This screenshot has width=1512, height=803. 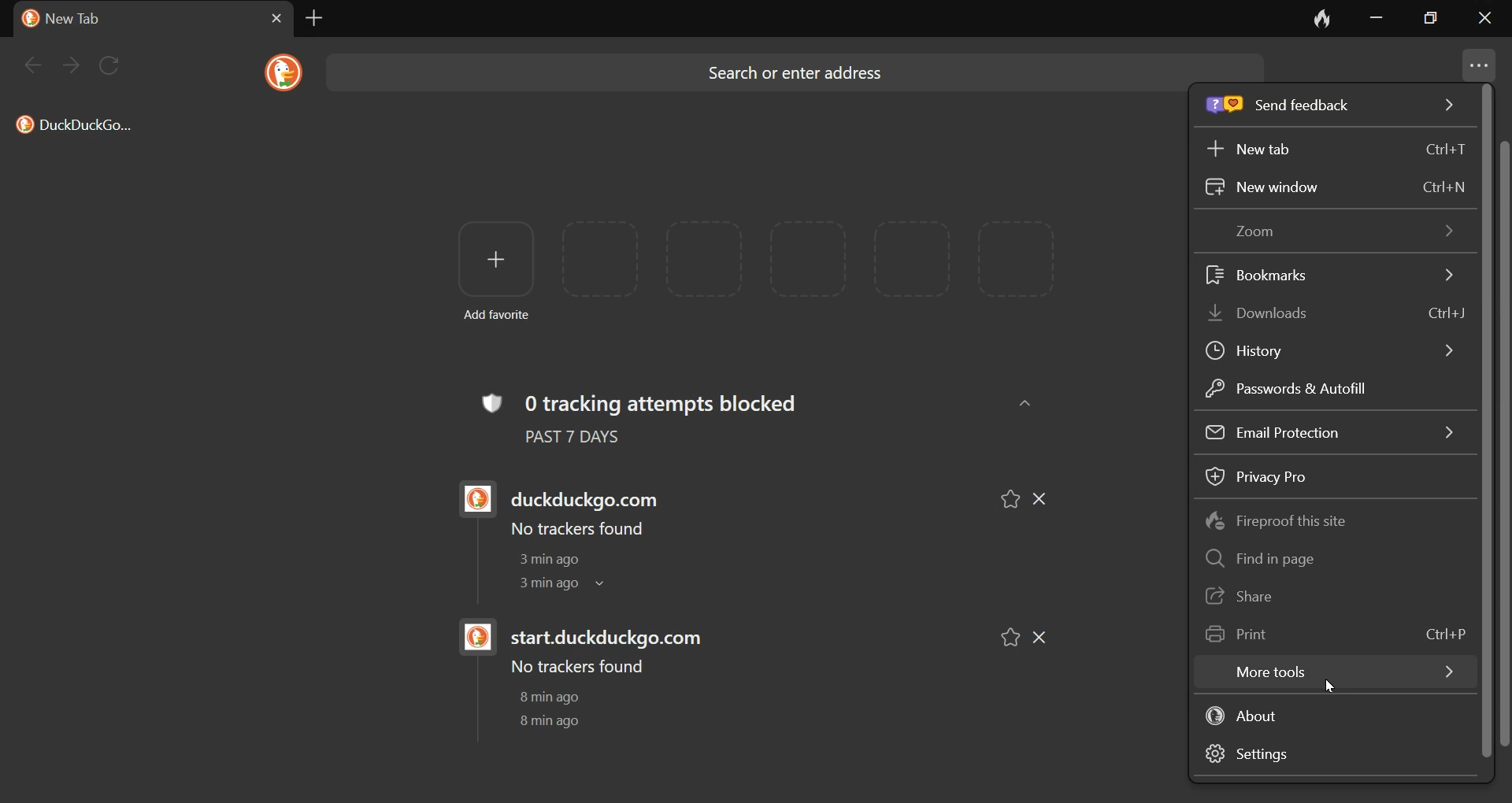 What do you see at coordinates (489, 259) in the screenshot?
I see `add` at bounding box center [489, 259].